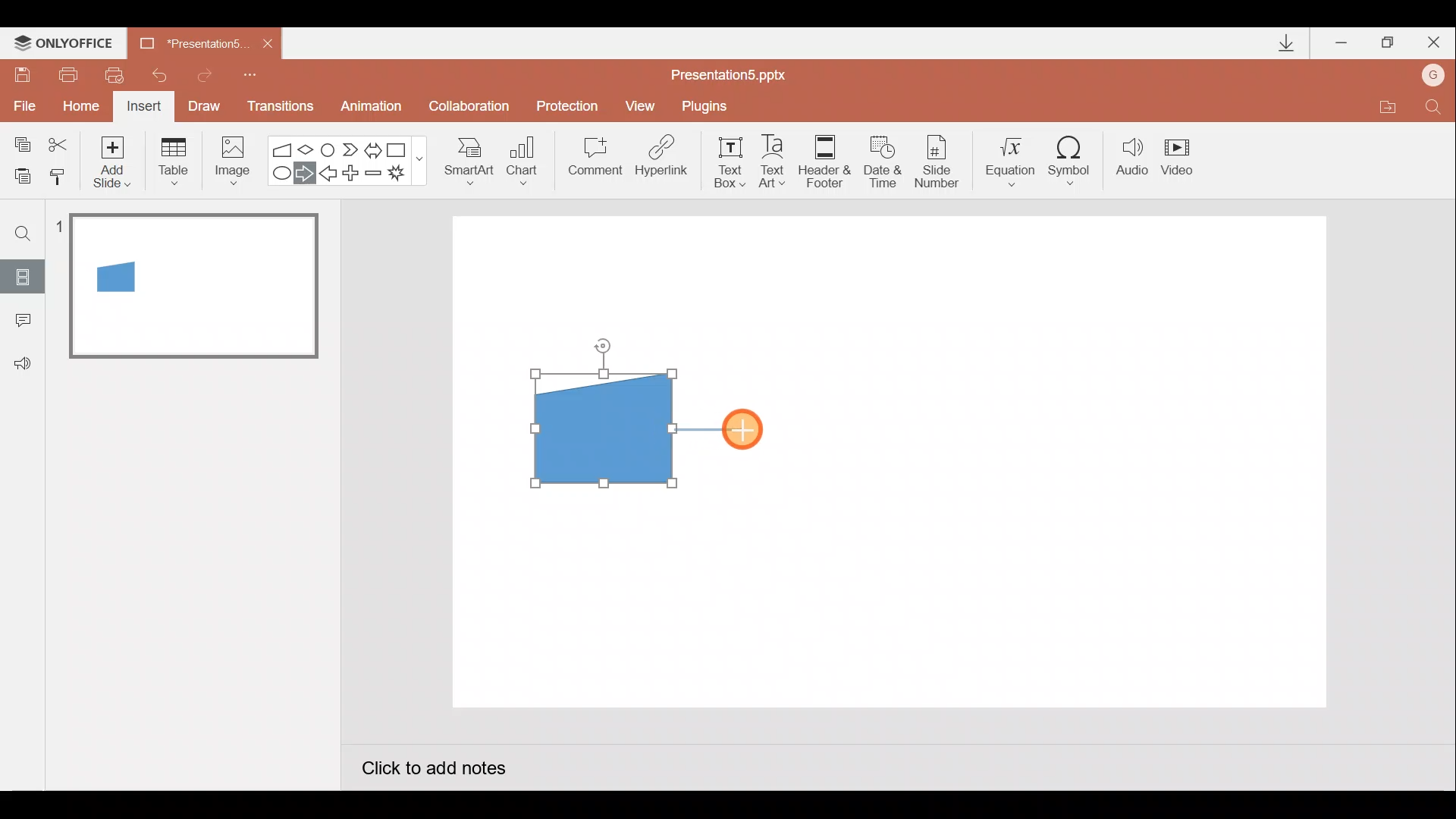 This screenshot has height=819, width=1456. I want to click on Presentation5., so click(187, 41).